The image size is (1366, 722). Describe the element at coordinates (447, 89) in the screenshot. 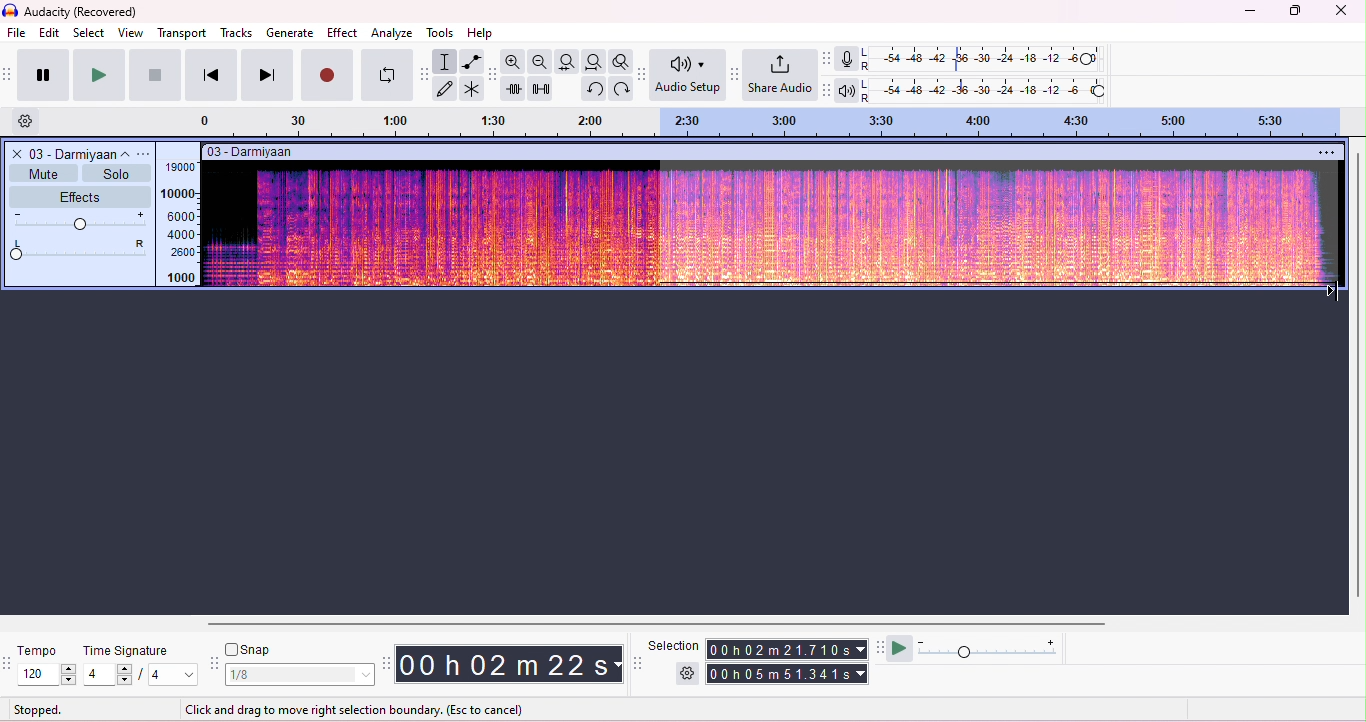

I see `draw` at that location.